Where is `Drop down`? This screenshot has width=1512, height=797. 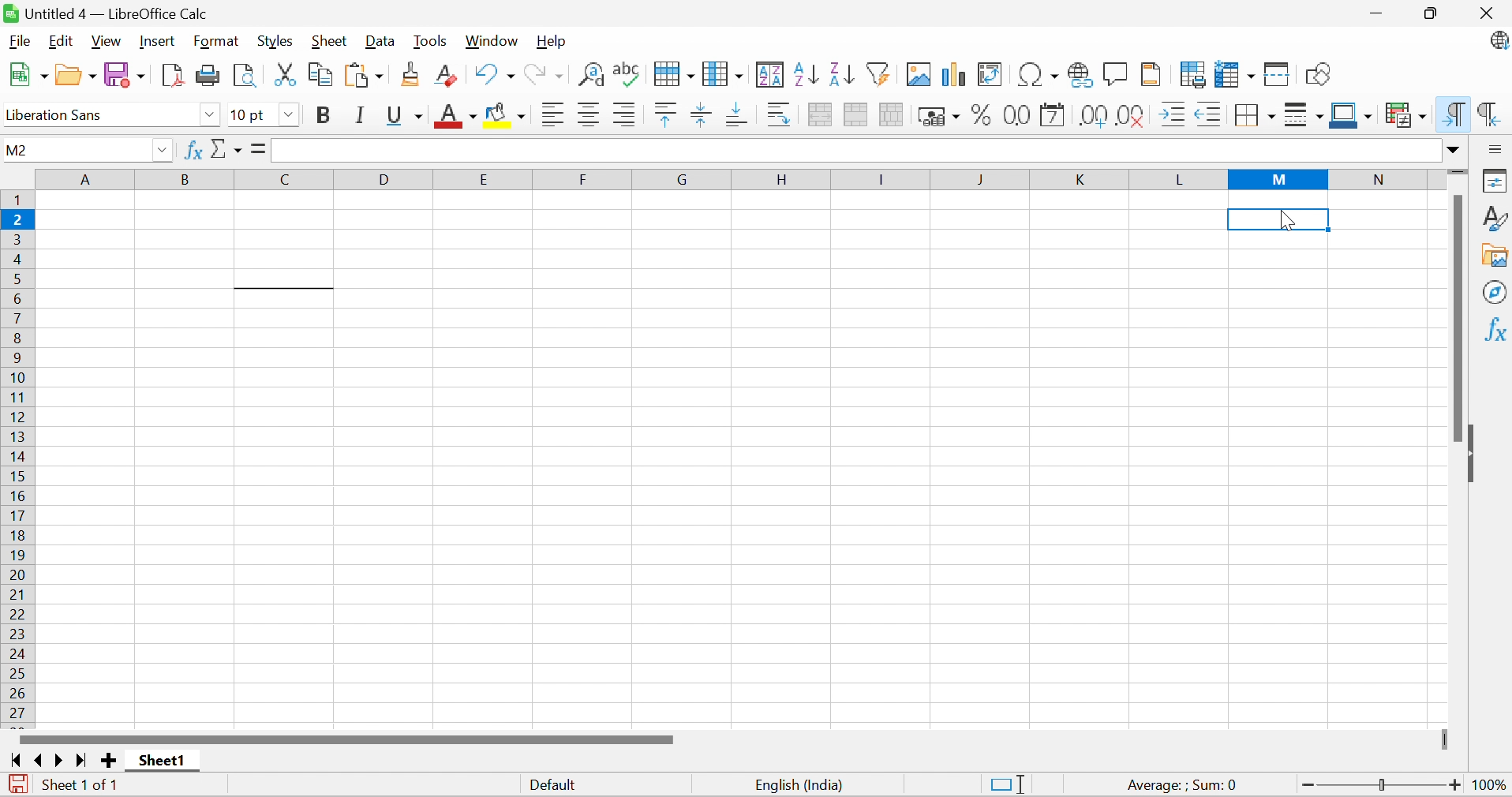 Drop down is located at coordinates (162, 152).